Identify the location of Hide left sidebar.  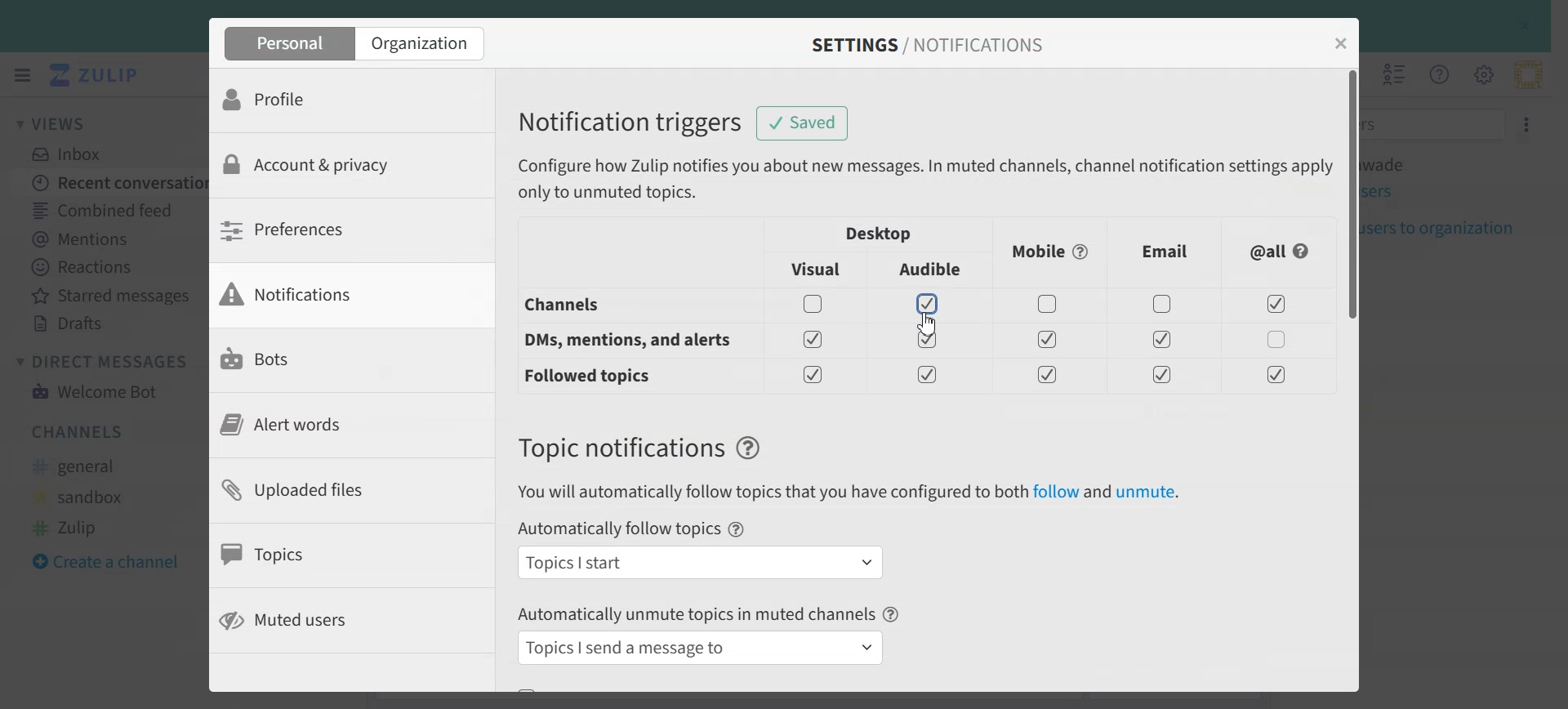
(22, 75).